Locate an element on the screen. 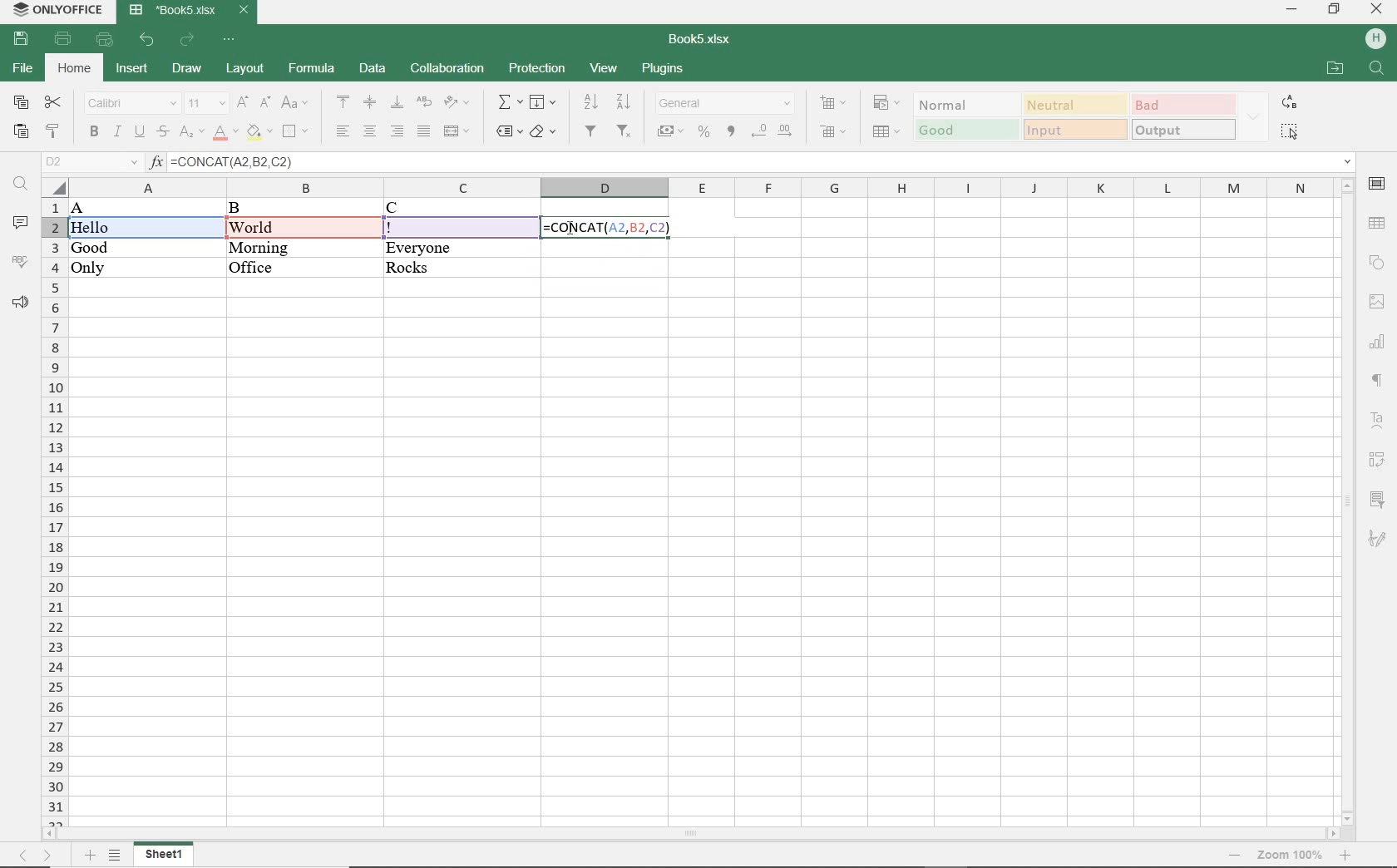  JUSTIFIED is located at coordinates (422, 133).